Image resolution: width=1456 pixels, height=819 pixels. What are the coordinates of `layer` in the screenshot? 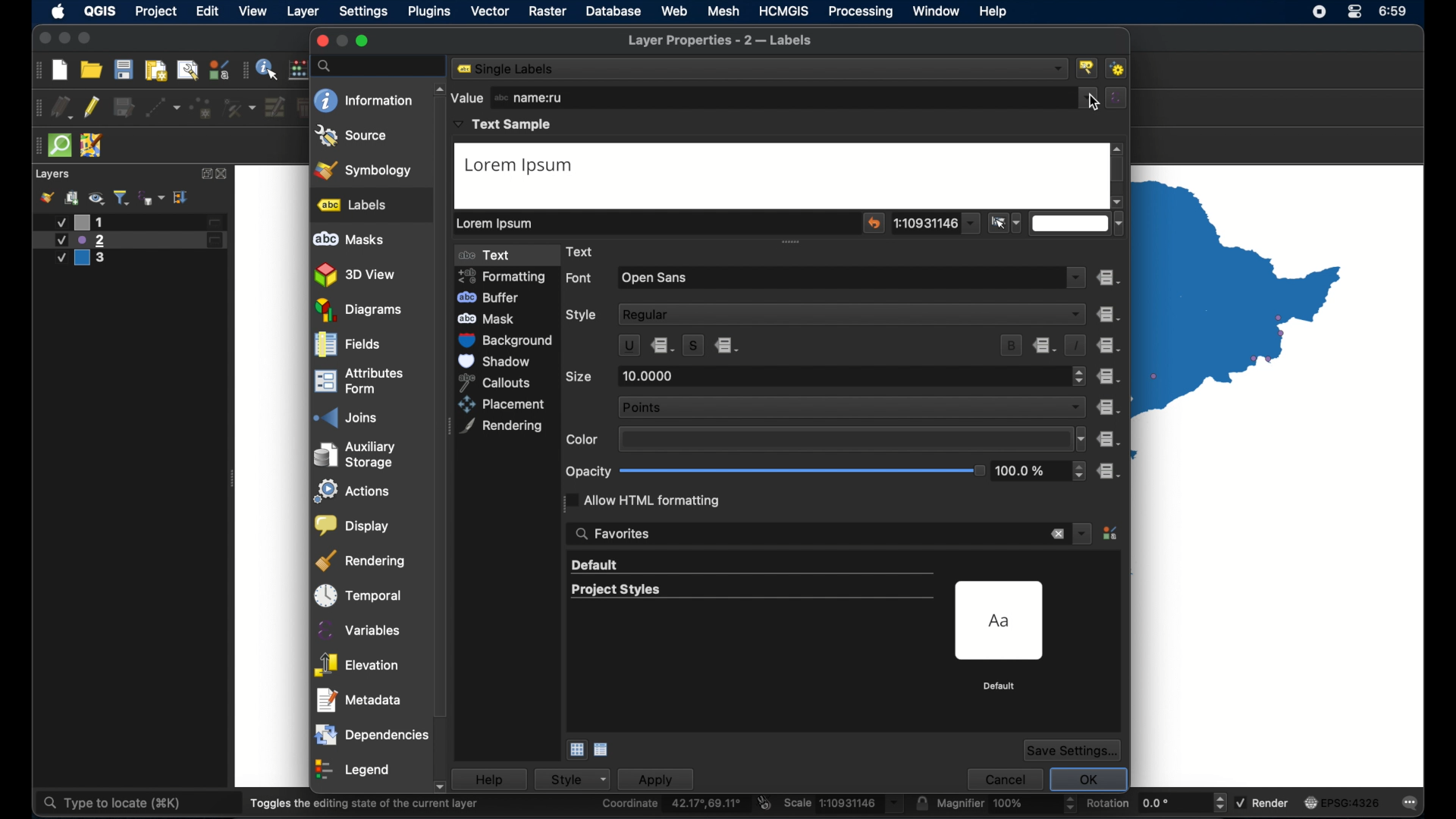 It's located at (304, 12).